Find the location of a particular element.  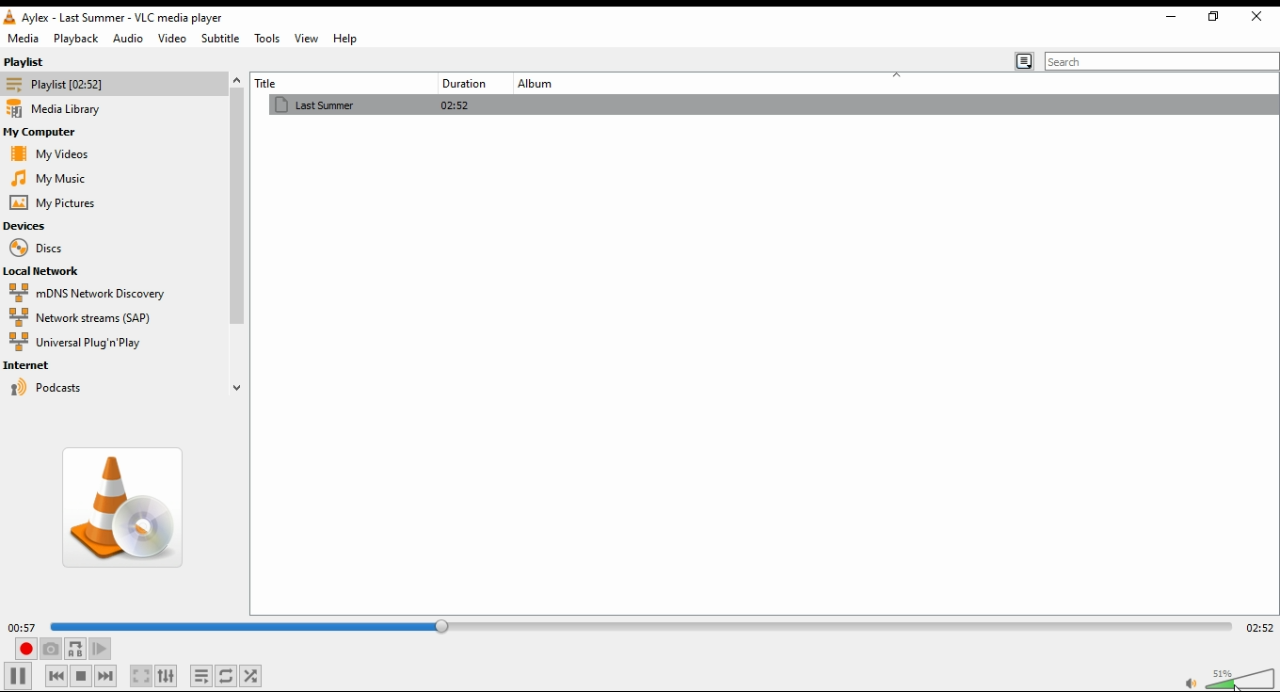

album is located at coordinates (543, 84).